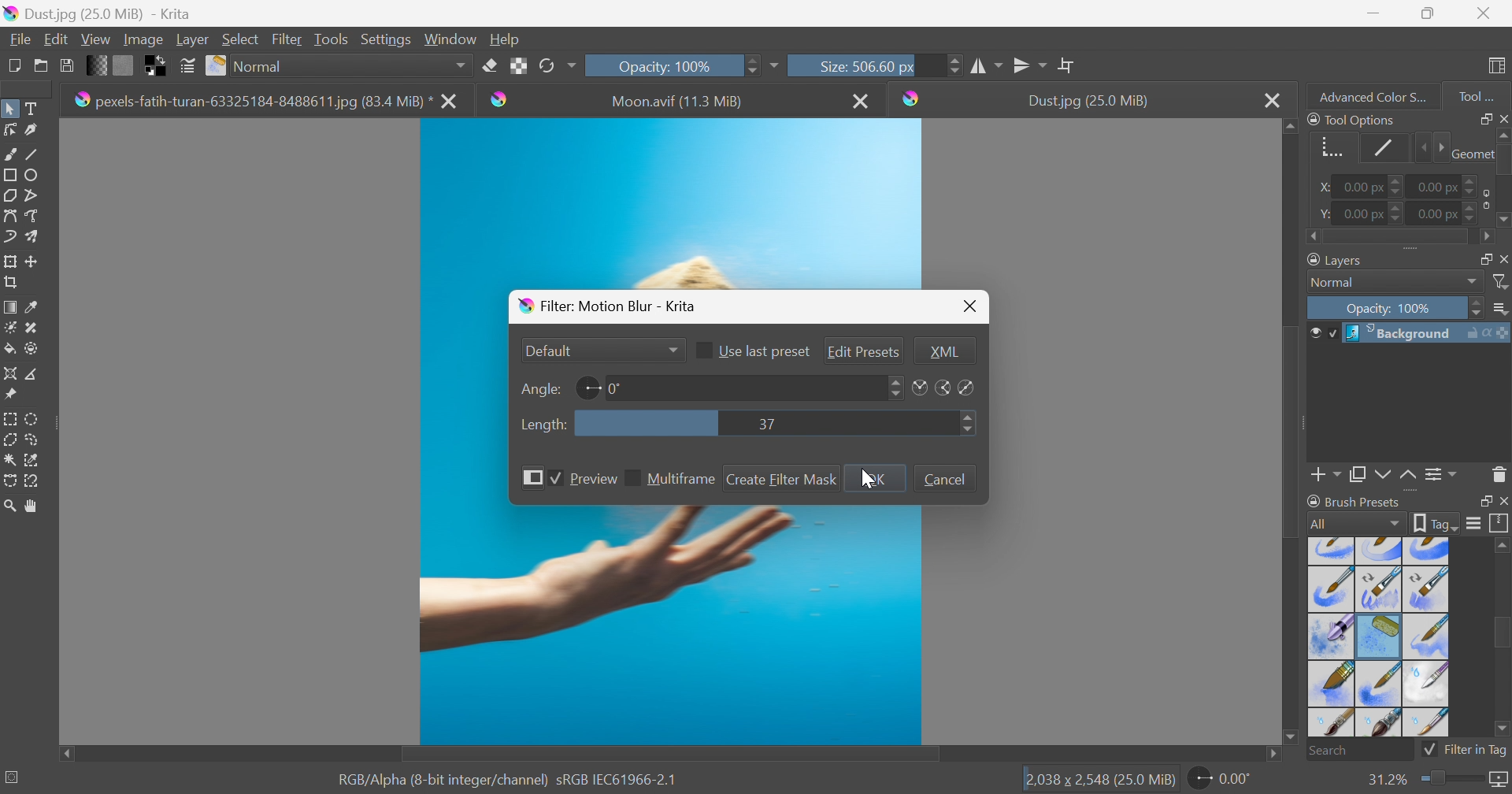 The height and width of the screenshot is (794, 1512). Describe the element at coordinates (217, 66) in the screenshot. I see `Choose brush preset` at that location.